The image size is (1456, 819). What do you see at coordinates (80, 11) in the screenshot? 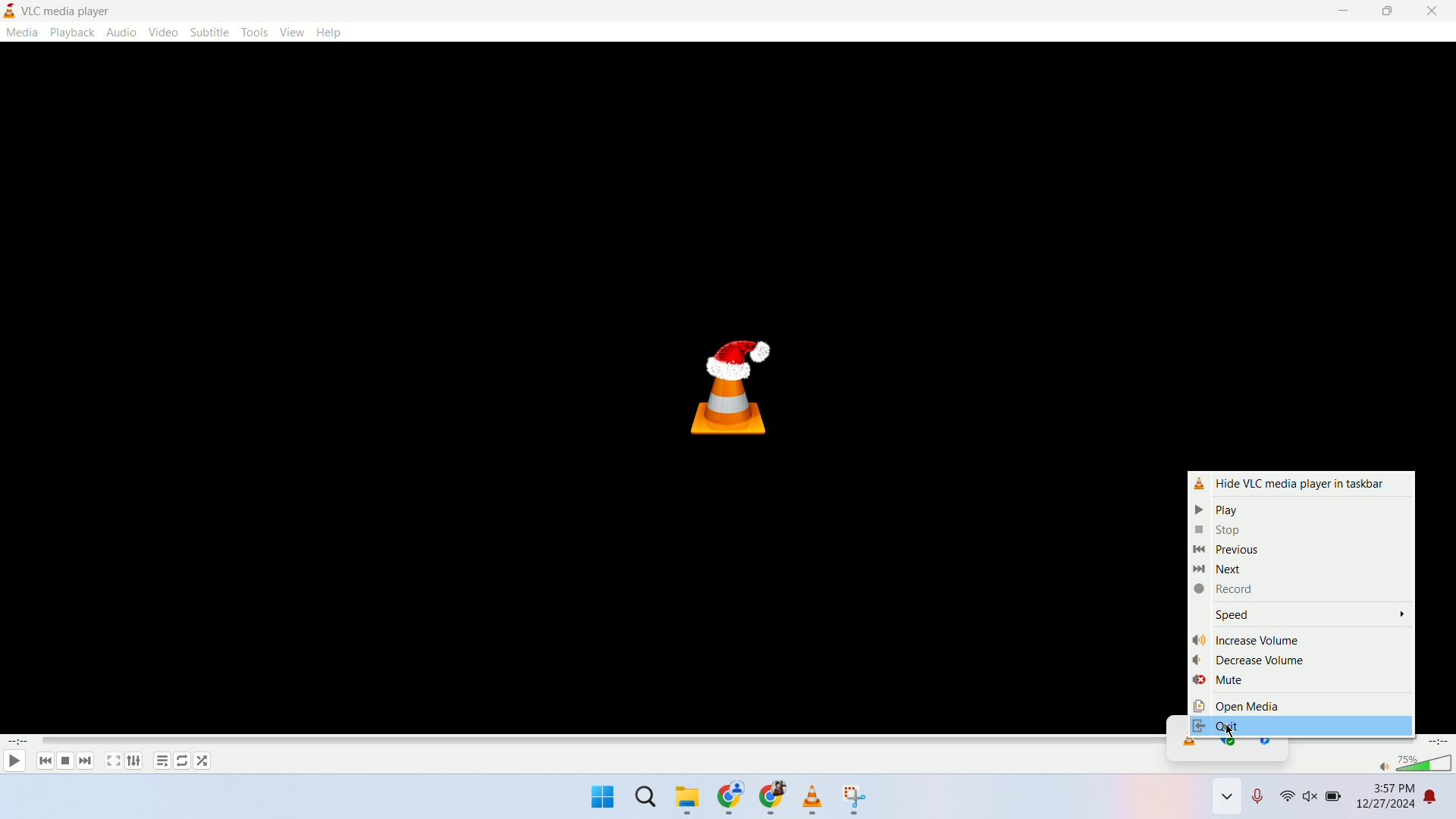
I see `VLC media player` at bounding box center [80, 11].